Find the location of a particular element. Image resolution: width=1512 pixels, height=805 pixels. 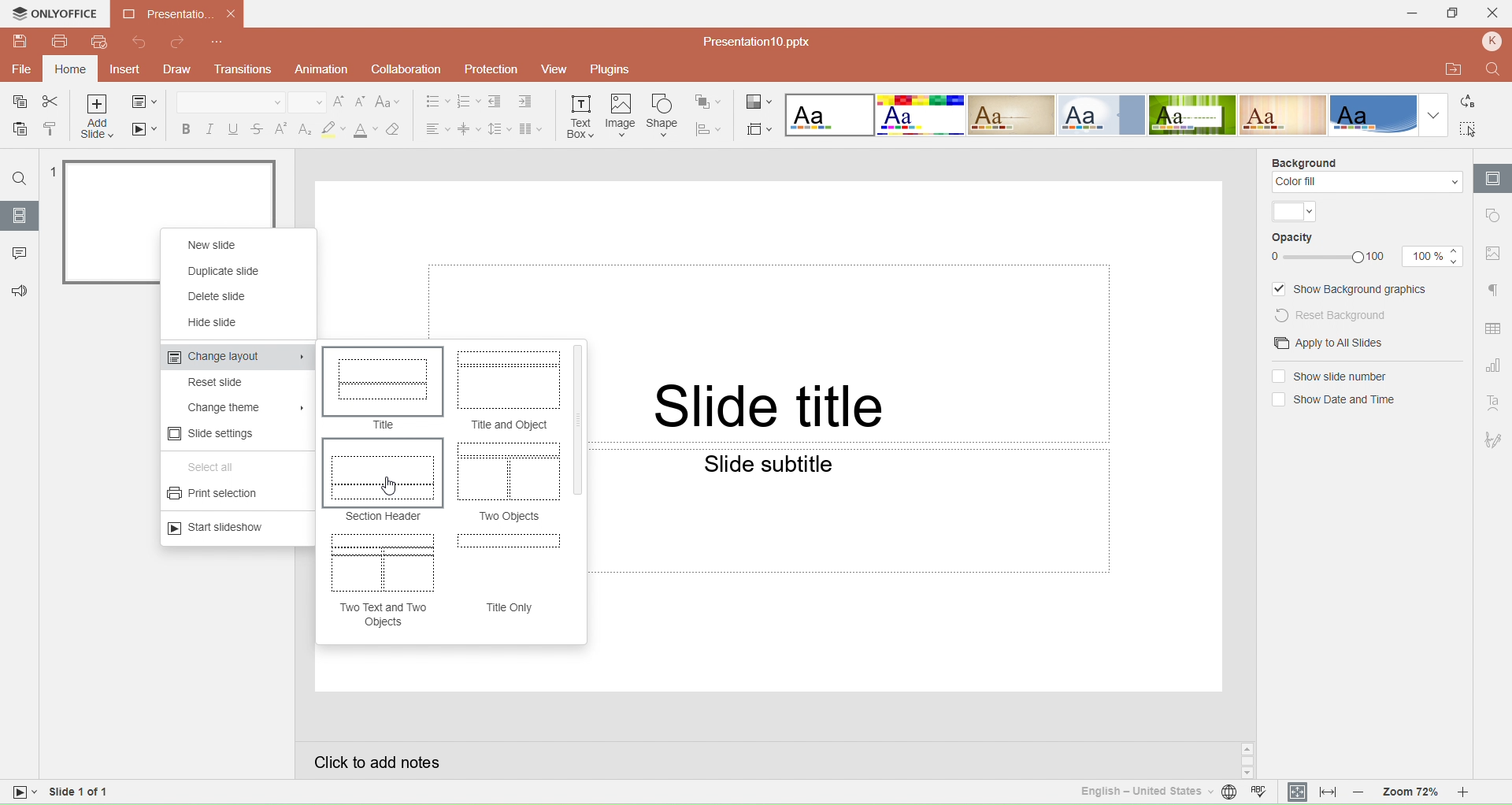

Customize quick access toolbar is located at coordinates (218, 43).